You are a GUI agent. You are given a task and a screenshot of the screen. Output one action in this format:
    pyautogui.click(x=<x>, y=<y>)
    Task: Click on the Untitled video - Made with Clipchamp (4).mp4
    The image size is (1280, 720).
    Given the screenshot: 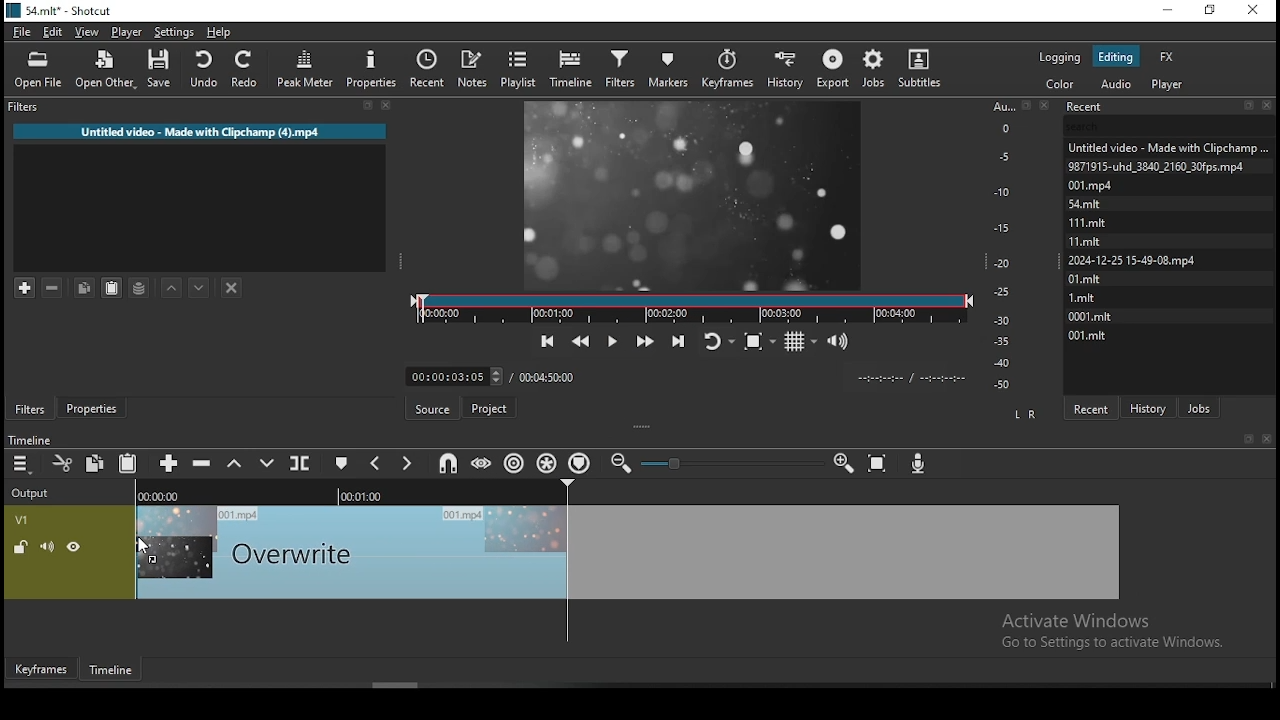 What is the action you would take?
    pyautogui.click(x=203, y=129)
    